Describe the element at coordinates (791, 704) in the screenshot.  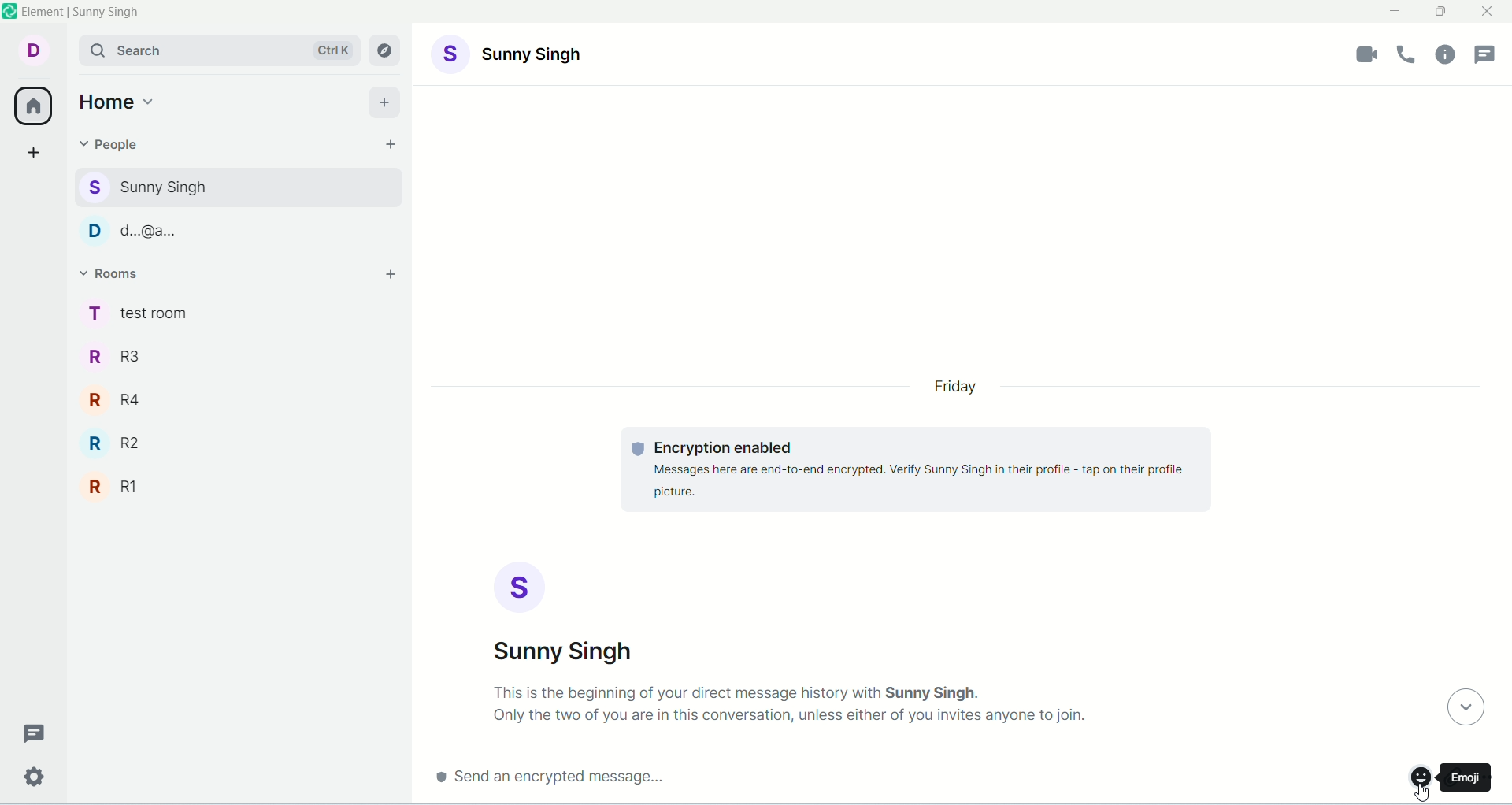
I see `text` at that location.